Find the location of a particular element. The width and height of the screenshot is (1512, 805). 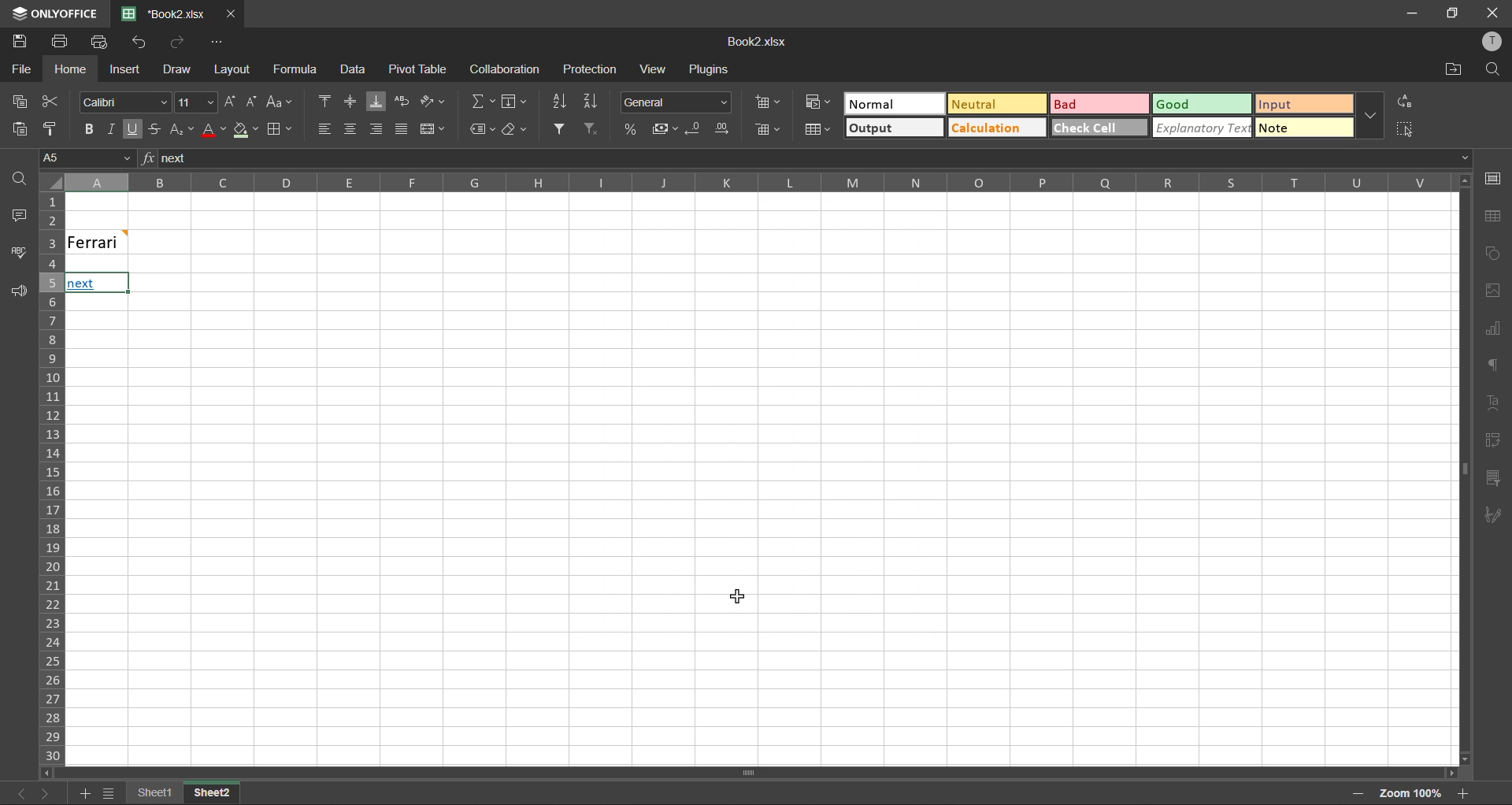

slicer is located at coordinates (1492, 478).